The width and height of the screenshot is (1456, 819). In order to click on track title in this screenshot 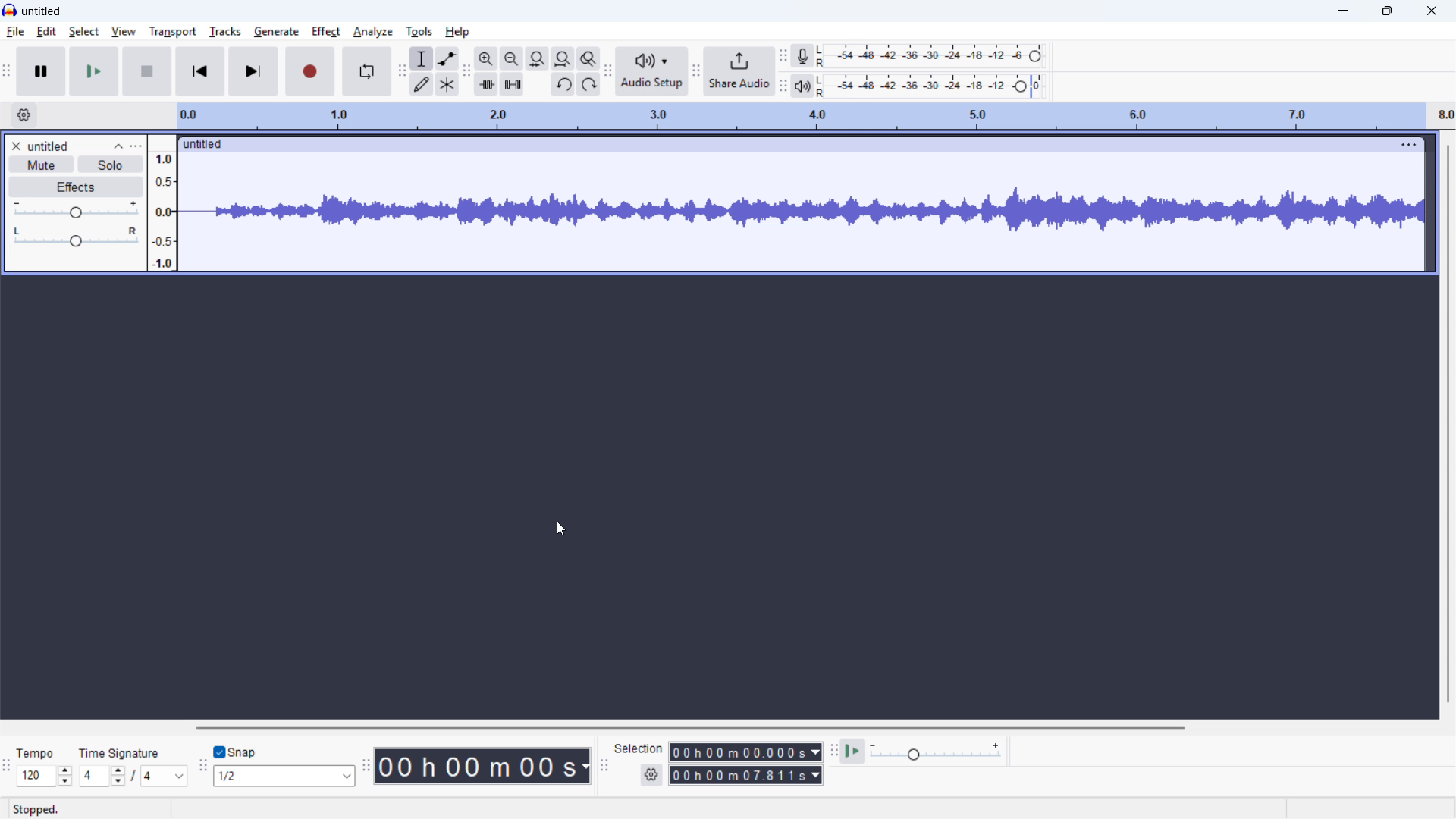, I will do `click(49, 146)`.